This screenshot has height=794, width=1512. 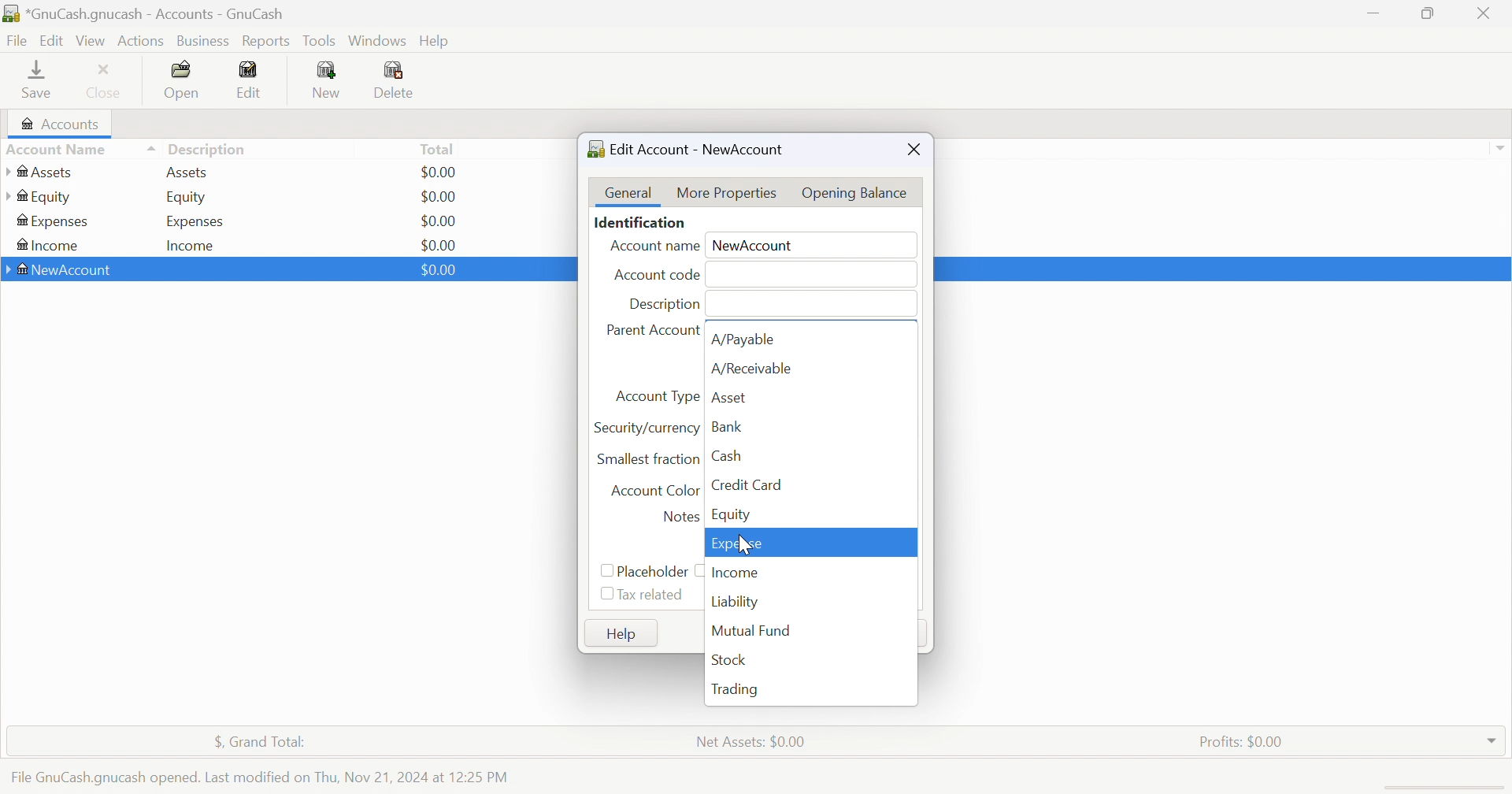 What do you see at coordinates (36, 78) in the screenshot?
I see `Save` at bounding box center [36, 78].